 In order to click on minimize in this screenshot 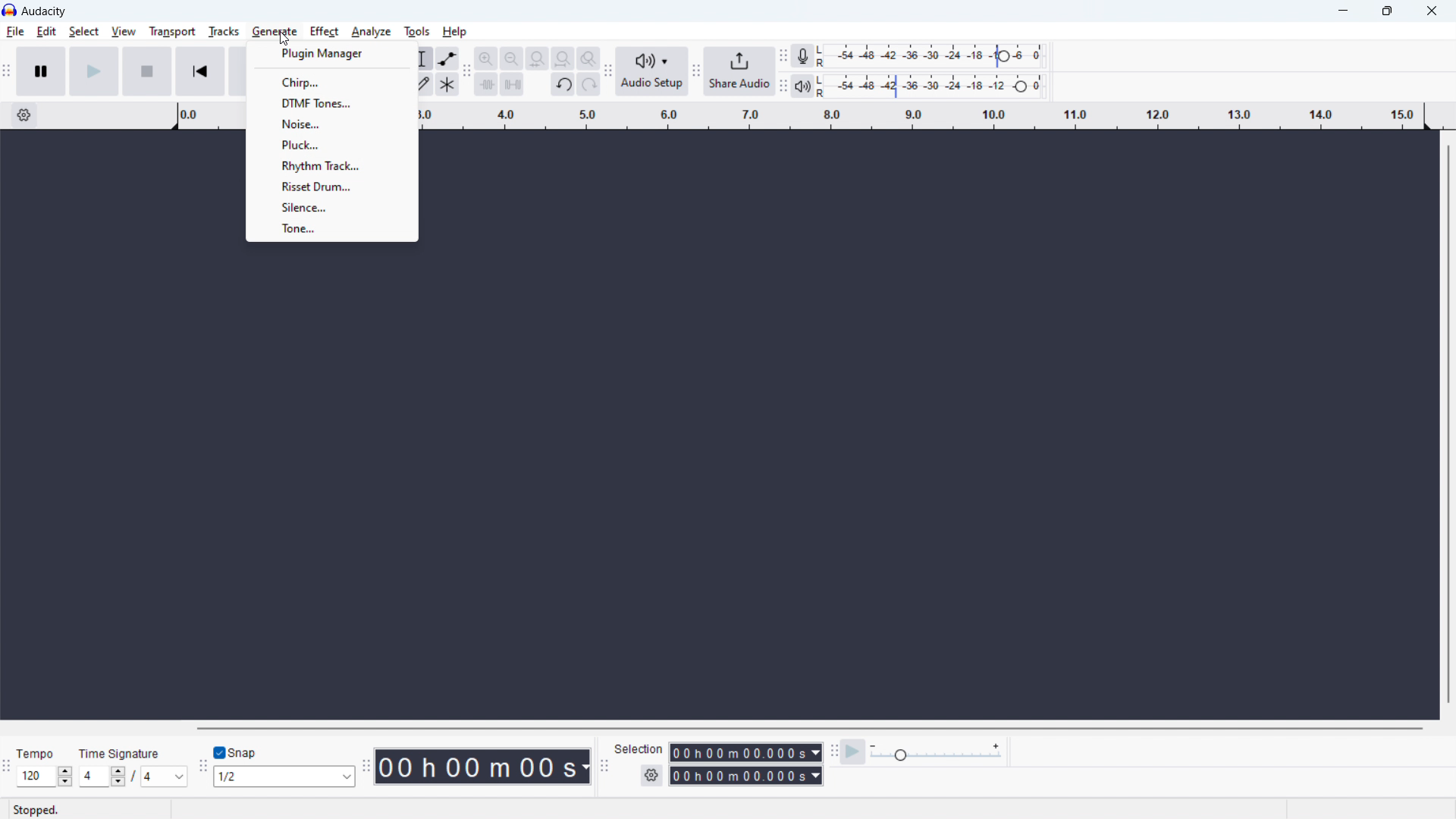, I will do `click(1341, 10)`.